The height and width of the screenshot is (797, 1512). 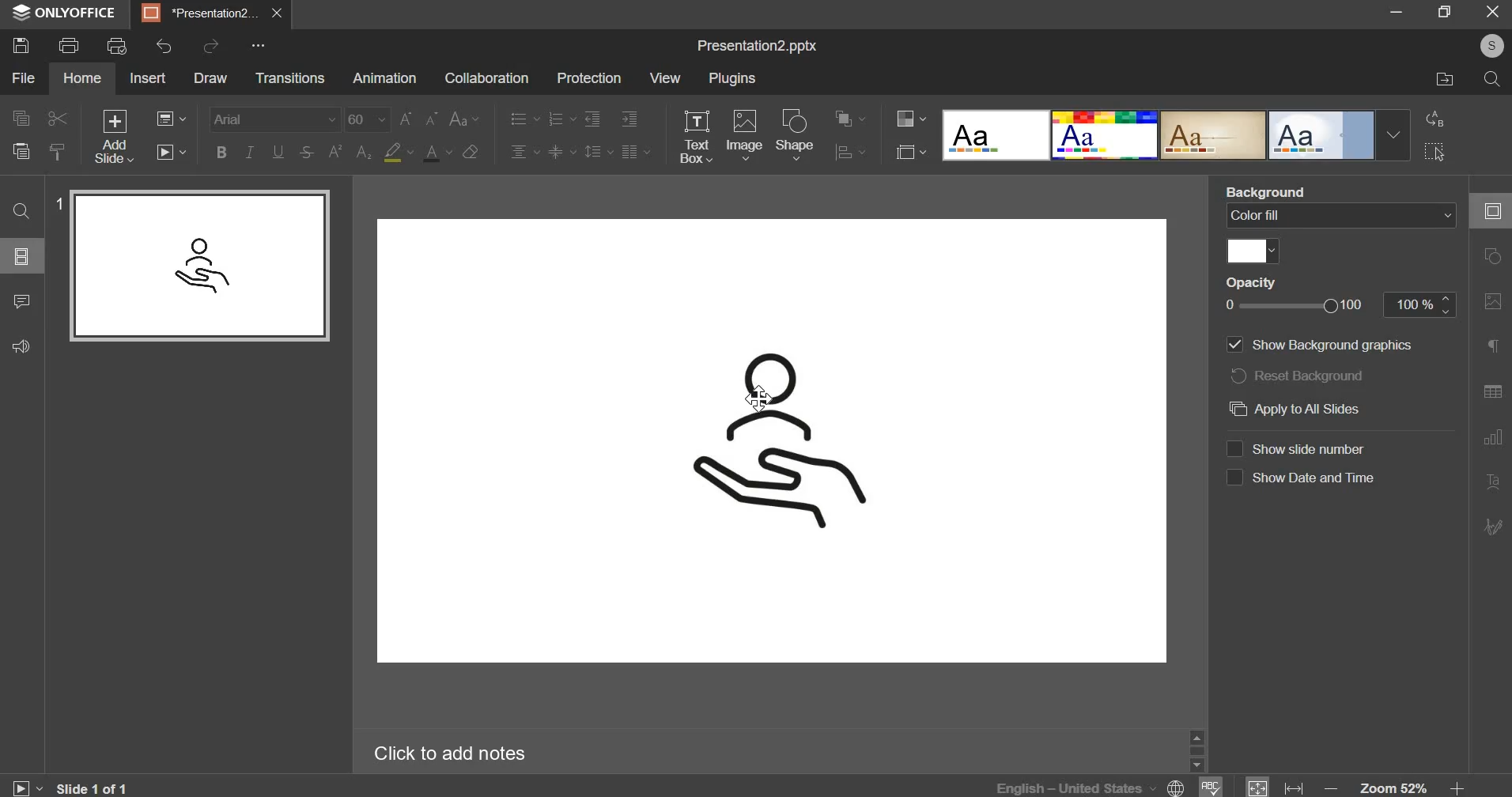 I want to click on print preview, so click(x=117, y=47).